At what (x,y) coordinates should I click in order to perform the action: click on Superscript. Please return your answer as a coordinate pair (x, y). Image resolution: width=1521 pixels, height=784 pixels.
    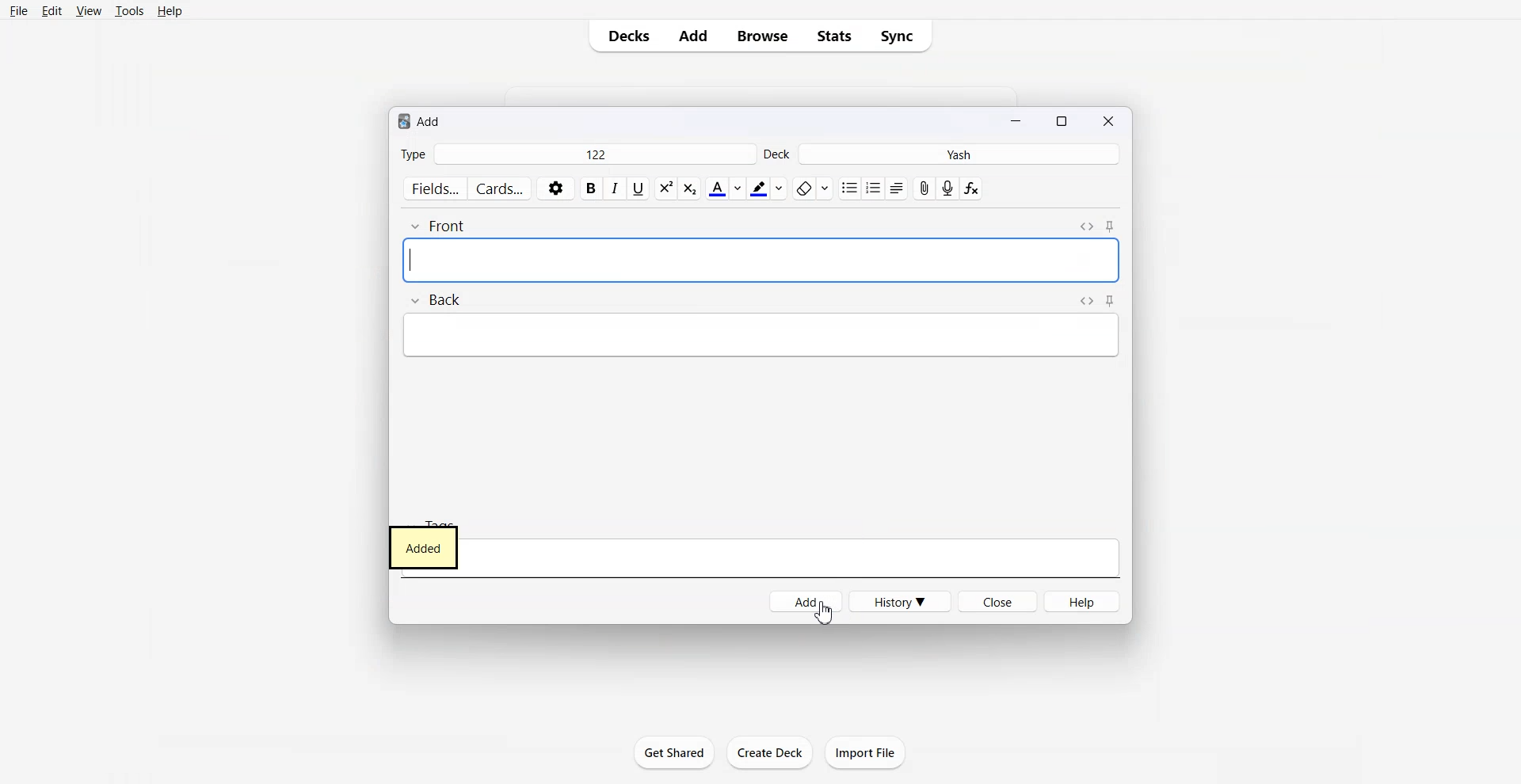
    Looking at the image, I should click on (690, 188).